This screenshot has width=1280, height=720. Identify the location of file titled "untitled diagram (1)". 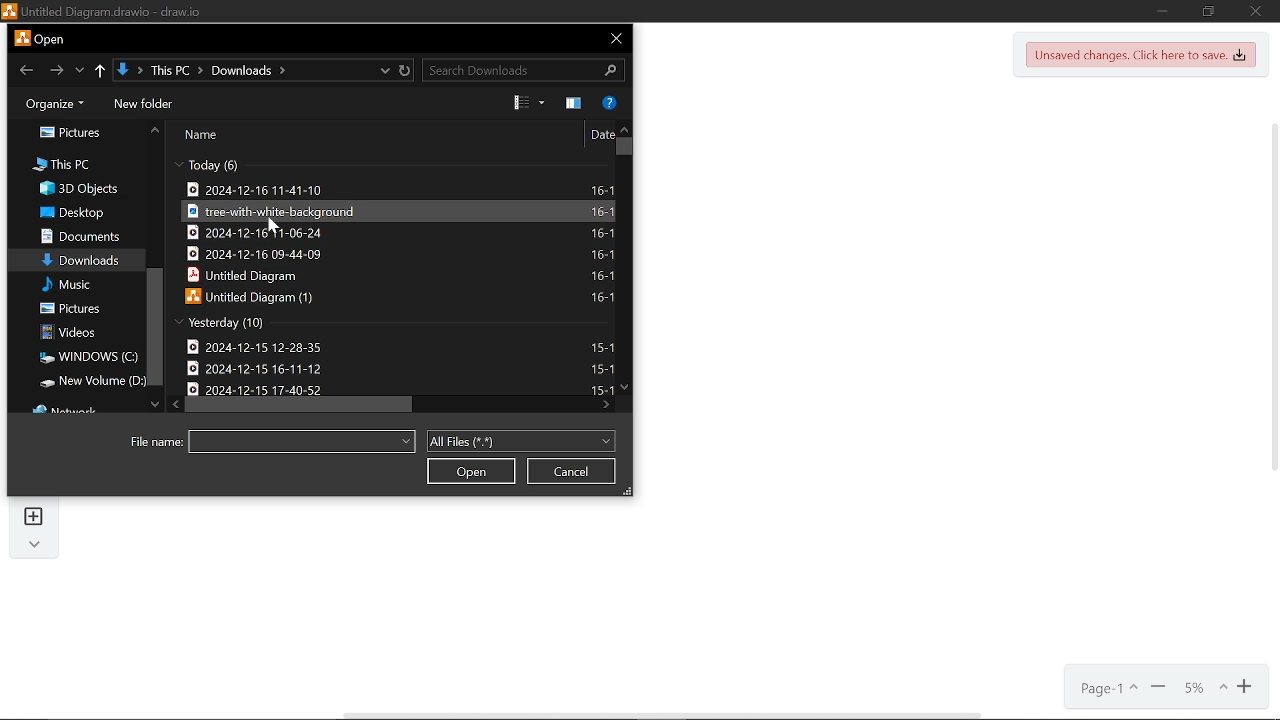
(397, 297).